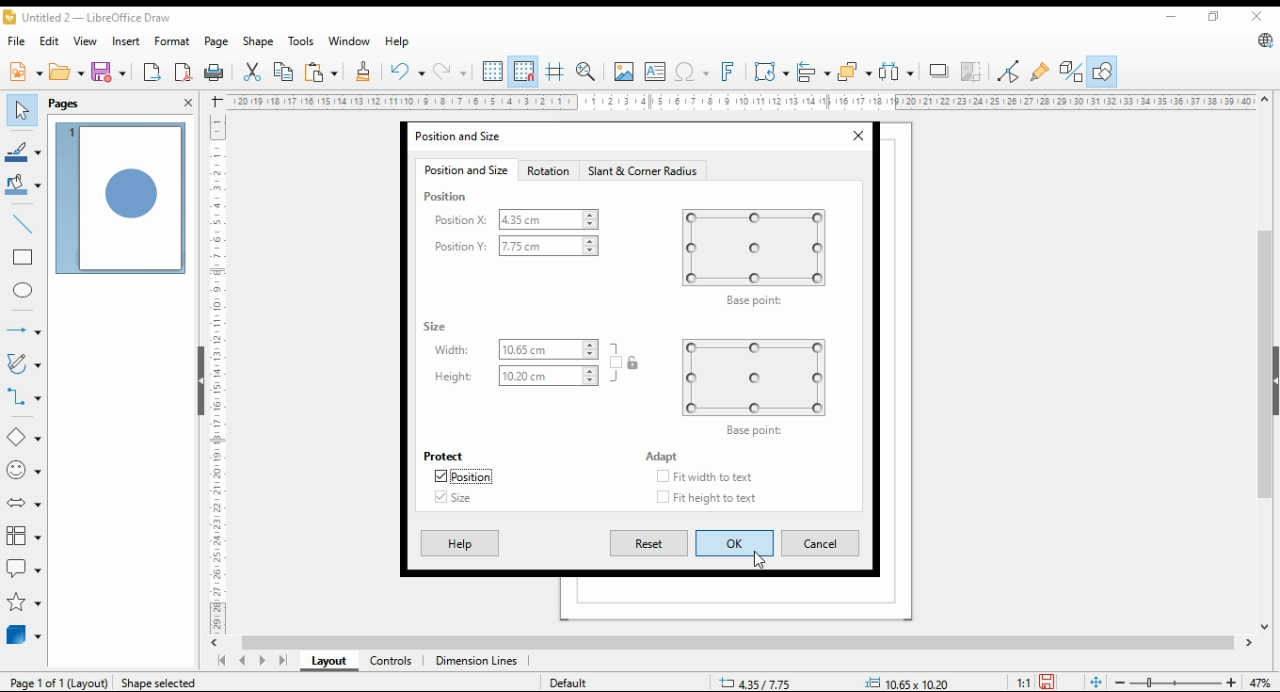 This screenshot has width=1280, height=692. What do you see at coordinates (524, 72) in the screenshot?
I see `snap to grids` at bounding box center [524, 72].